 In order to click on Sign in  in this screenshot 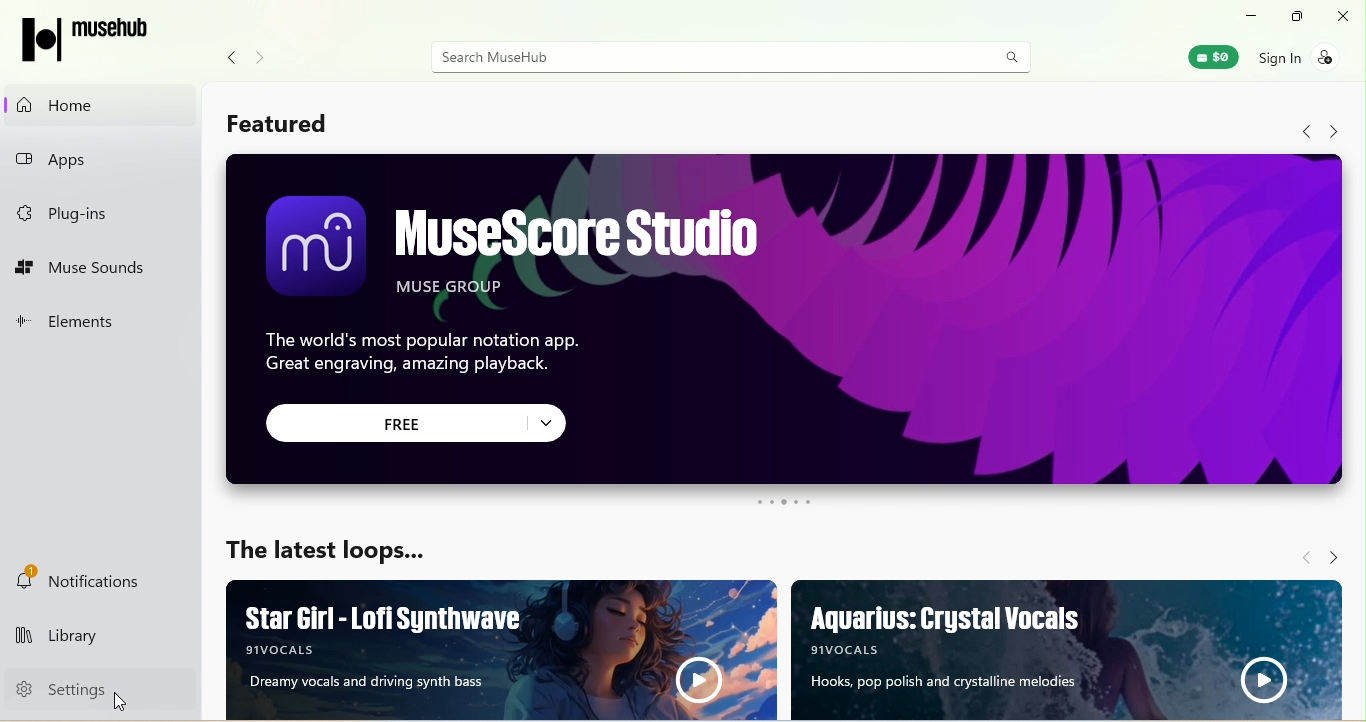, I will do `click(1300, 63)`.